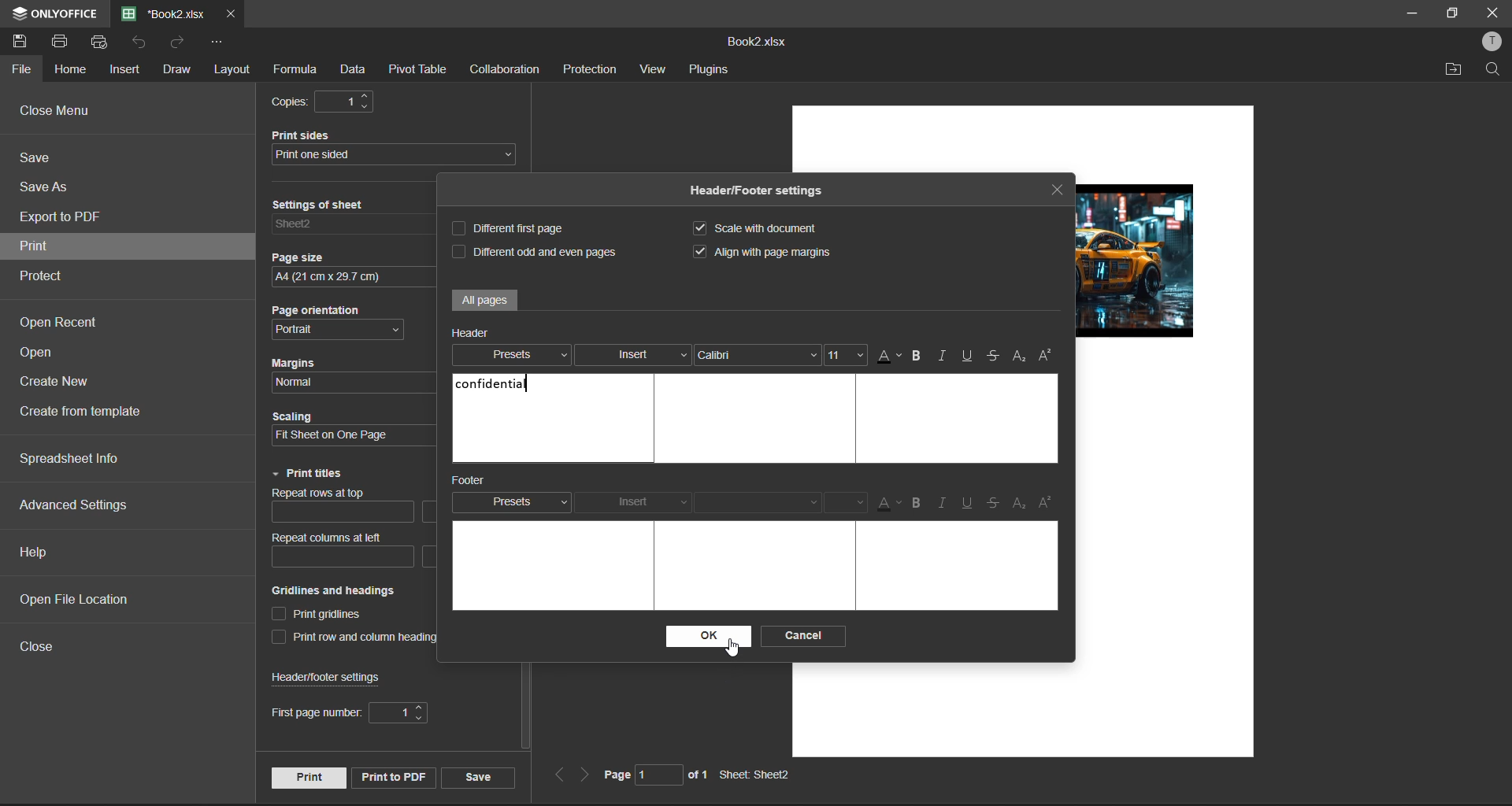 The height and width of the screenshot is (806, 1512). Describe the element at coordinates (733, 653) in the screenshot. I see `cursor` at that location.